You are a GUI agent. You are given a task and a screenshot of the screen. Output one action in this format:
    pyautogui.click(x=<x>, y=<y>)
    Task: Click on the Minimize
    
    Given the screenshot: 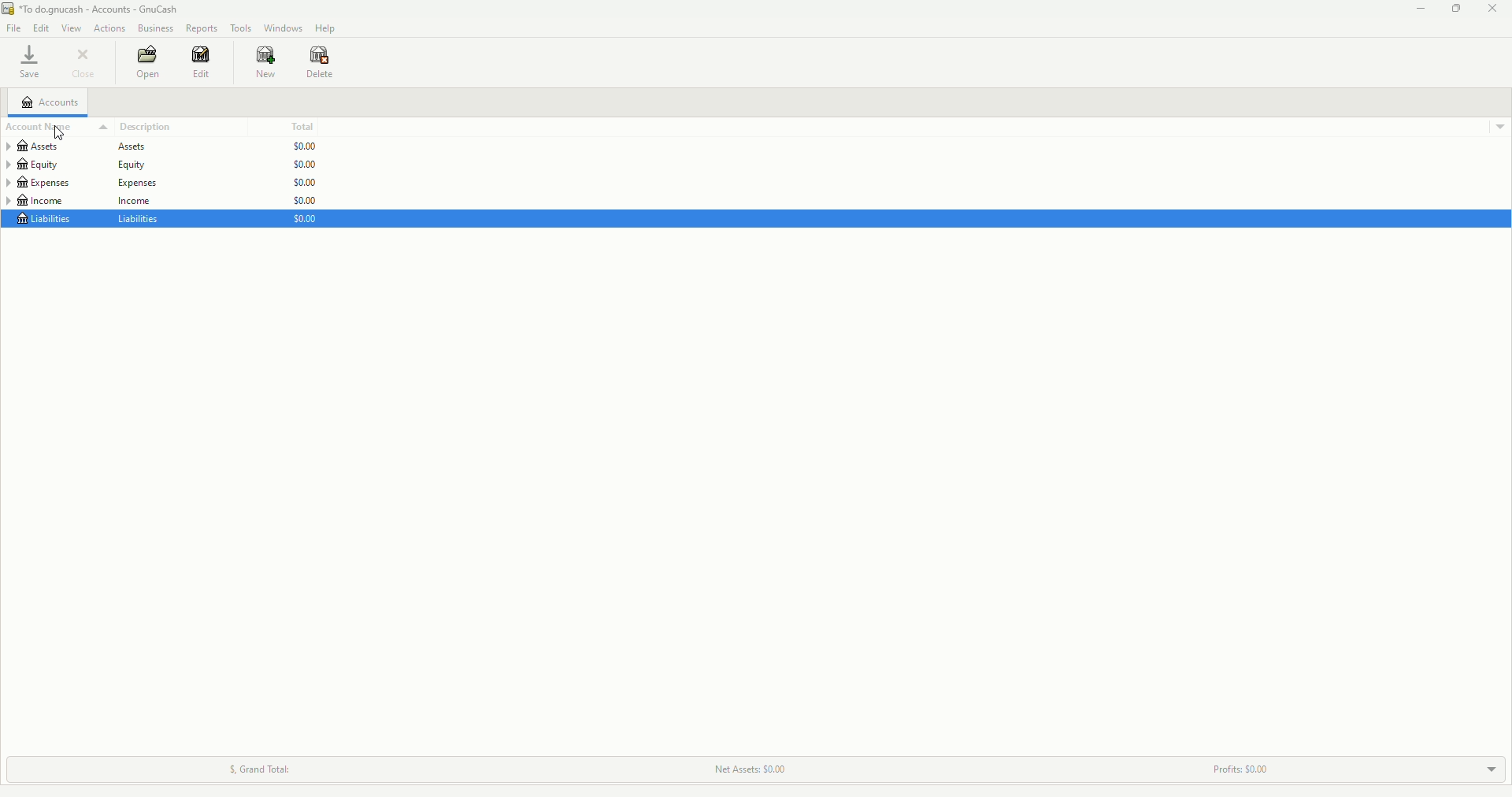 What is the action you would take?
    pyautogui.click(x=1416, y=8)
    